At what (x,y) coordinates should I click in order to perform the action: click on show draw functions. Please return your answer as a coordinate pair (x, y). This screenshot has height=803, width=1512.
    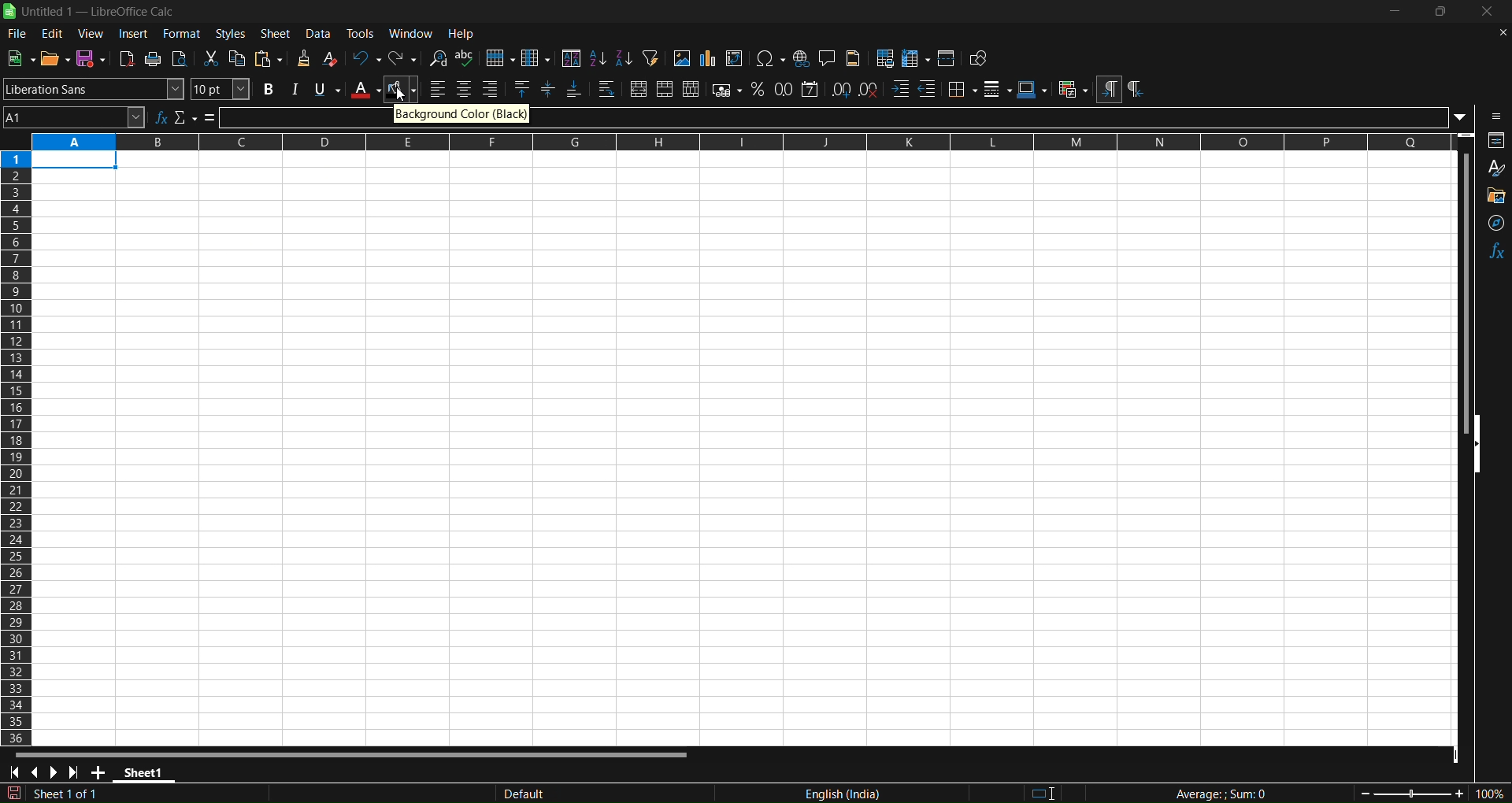
    Looking at the image, I should click on (980, 59).